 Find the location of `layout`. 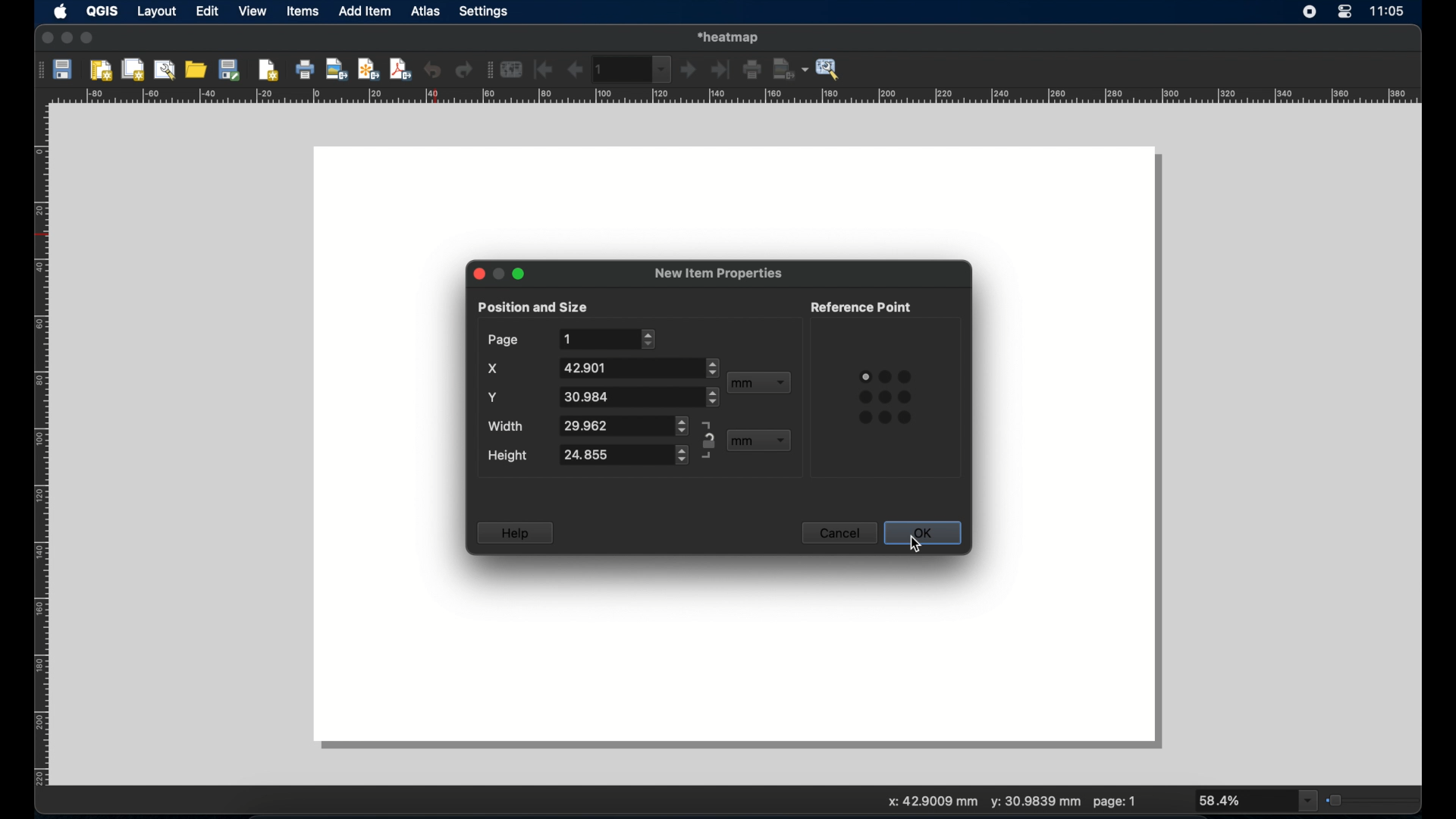

layout is located at coordinates (156, 13).